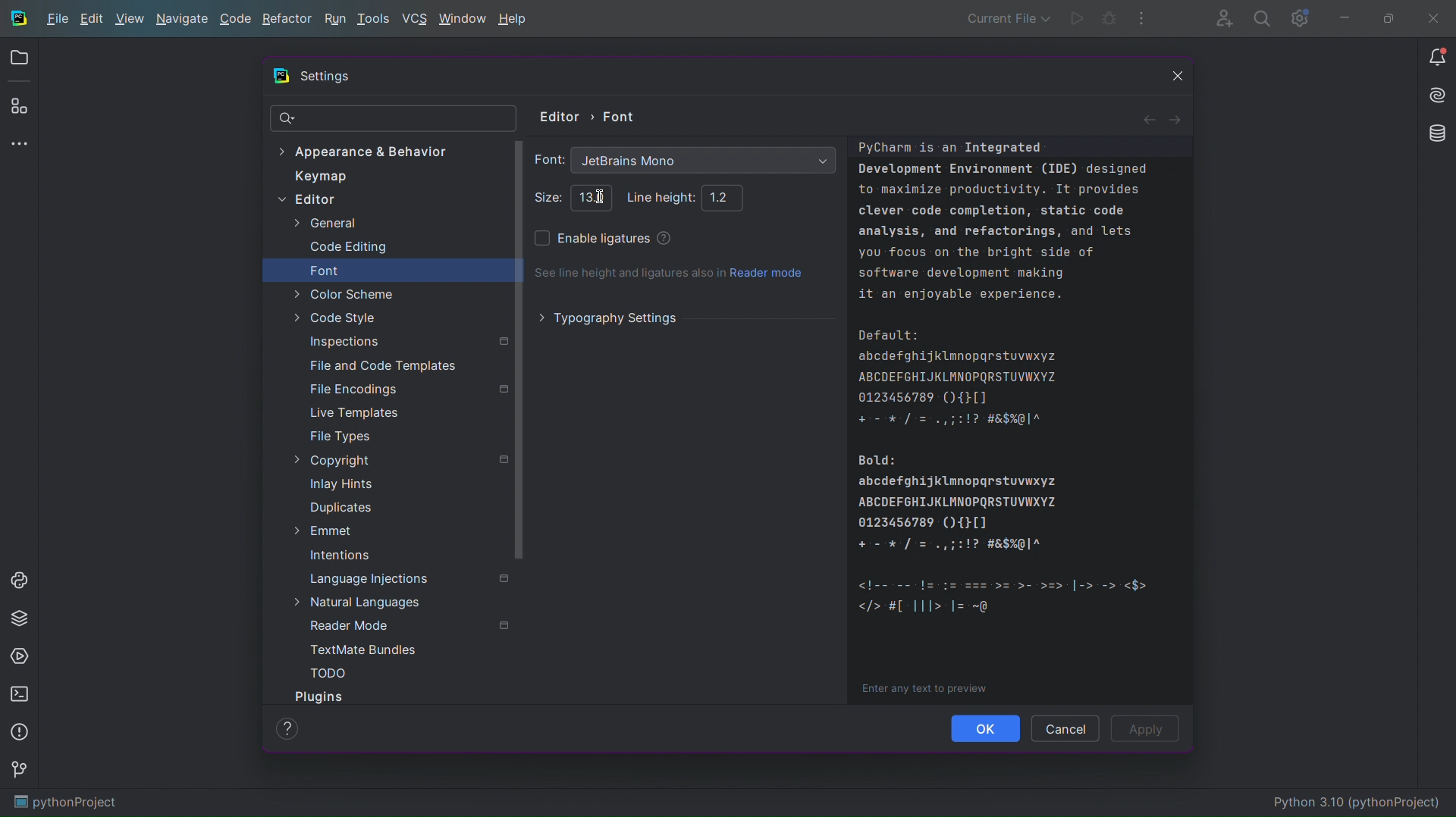 This screenshot has width=1456, height=817. I want to click on VCS, so click(414, 19).